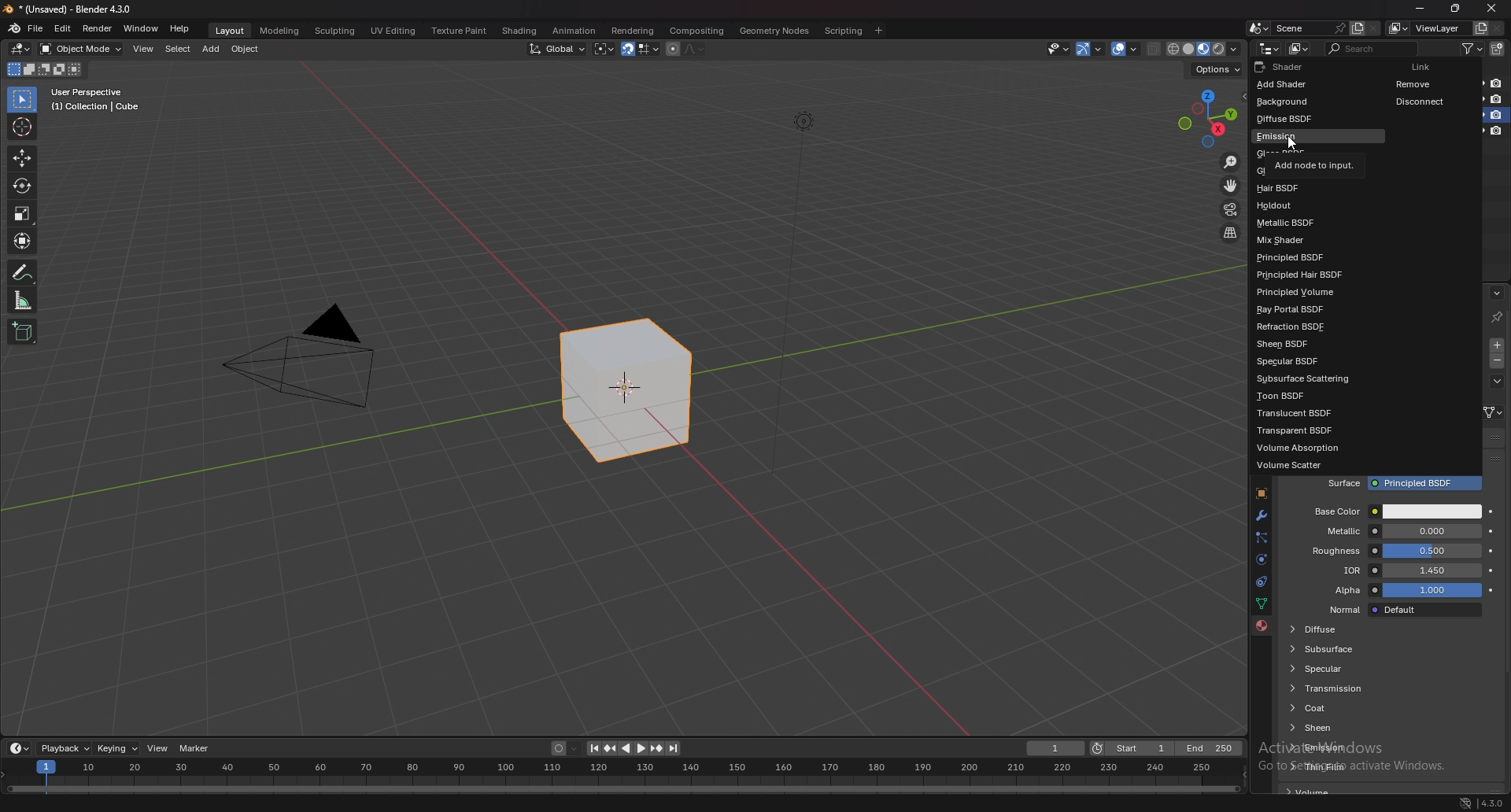 The image size is (1511, 812). I want to click on start 1, so click(1132, 749).